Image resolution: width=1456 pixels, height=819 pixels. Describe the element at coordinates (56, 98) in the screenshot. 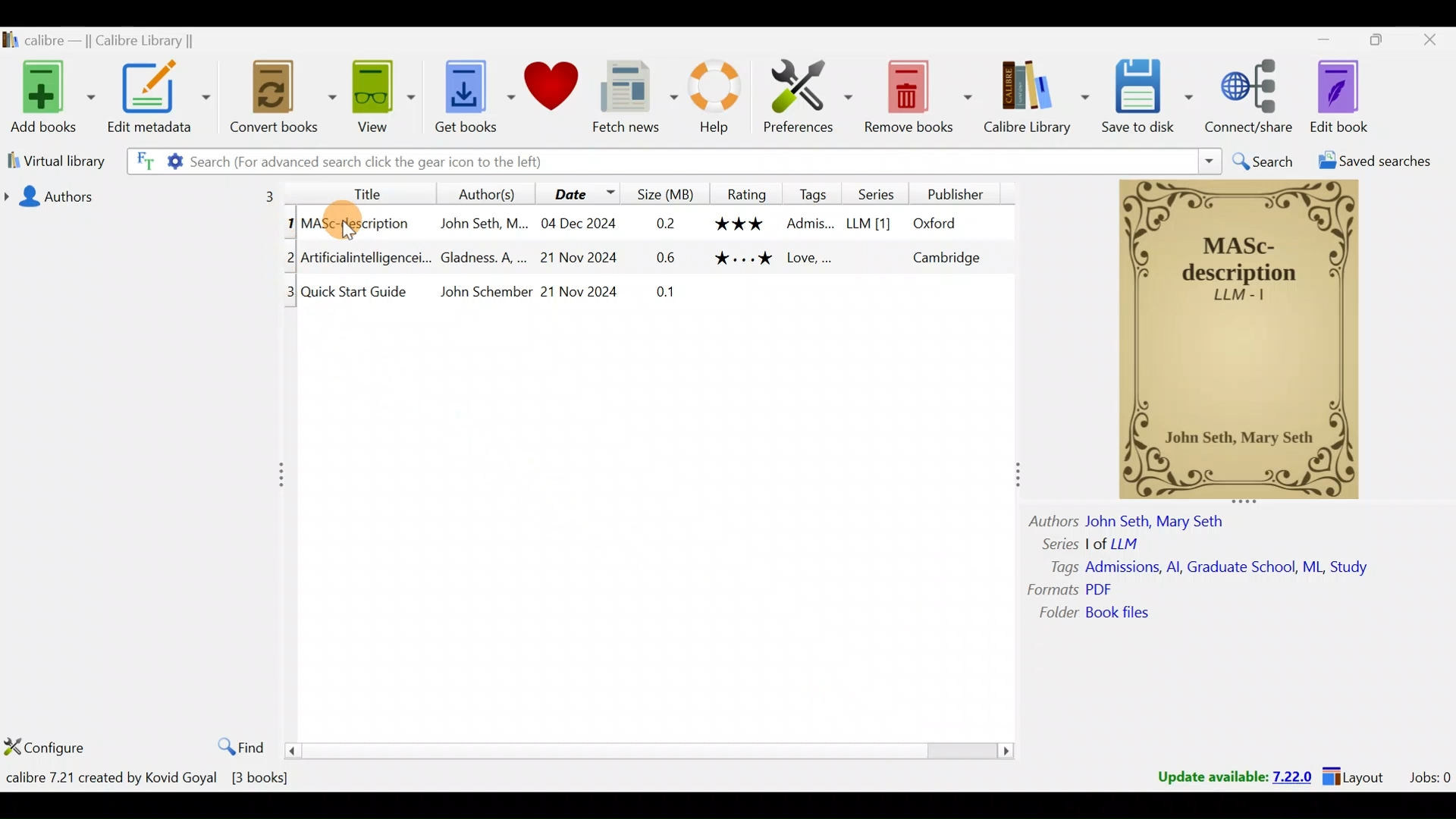

I see `Add books` at that location.